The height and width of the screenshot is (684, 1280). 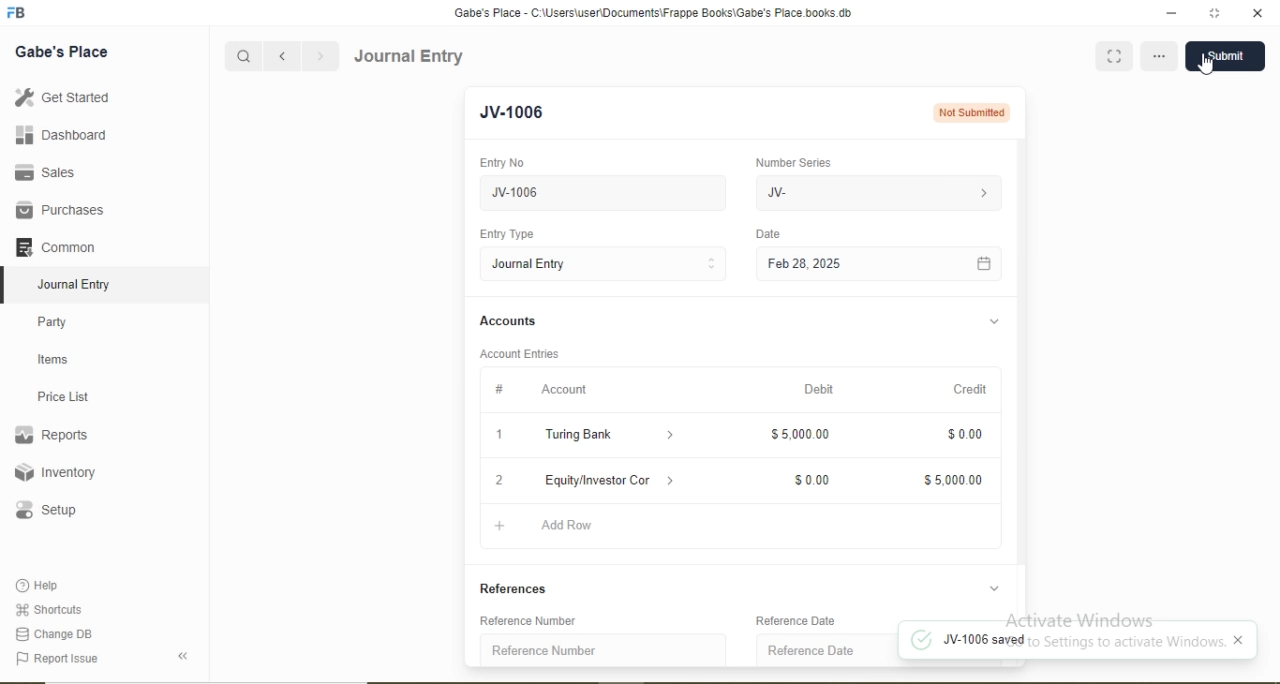 I want to click on JV-1006 saved, so click(x=968, y=641).